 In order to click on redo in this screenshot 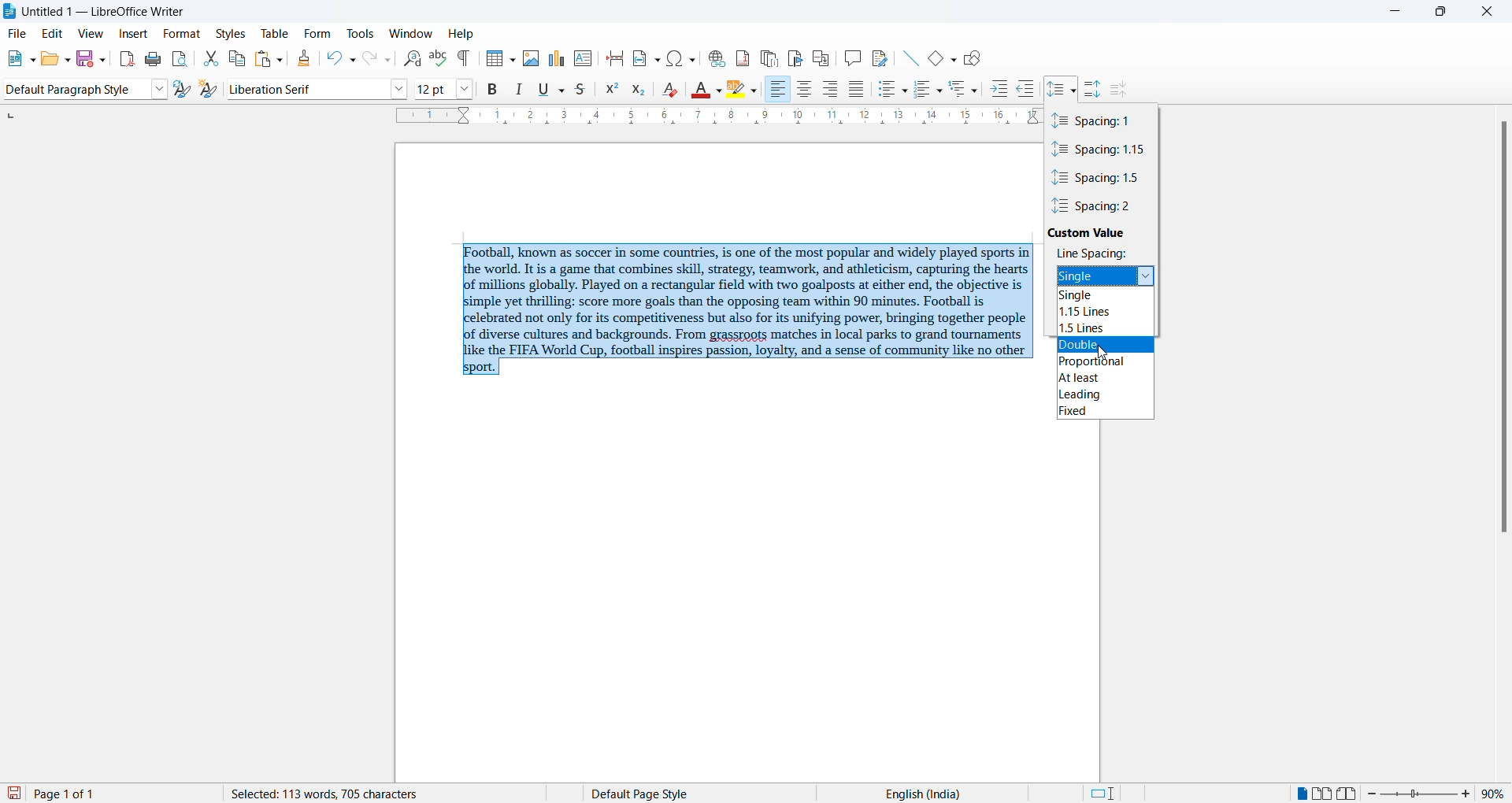, I will do `click(379, 59)`.